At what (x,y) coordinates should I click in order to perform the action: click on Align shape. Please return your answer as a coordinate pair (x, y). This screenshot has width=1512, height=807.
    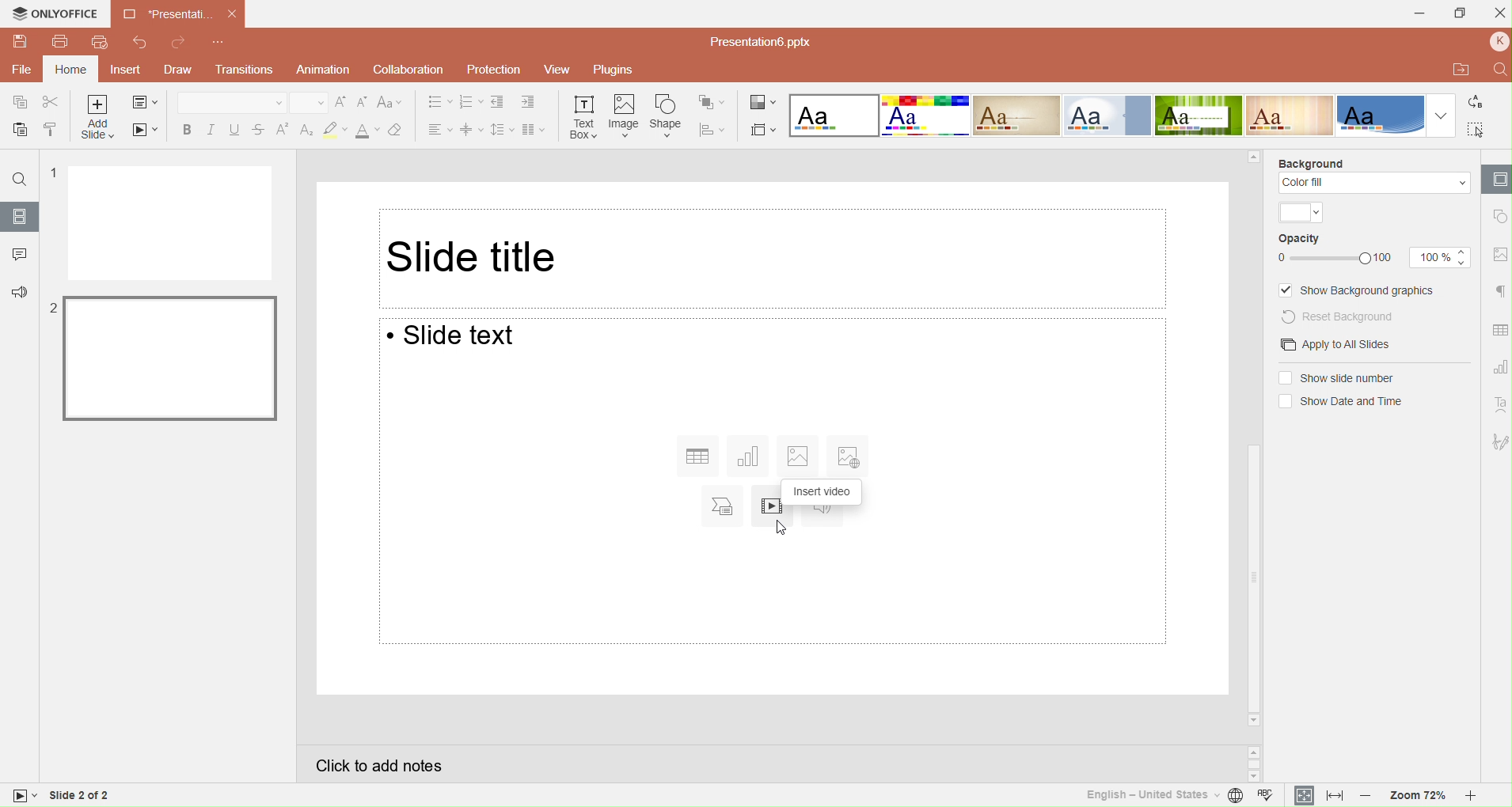
    Looking at the image, I should click on (714, 130).